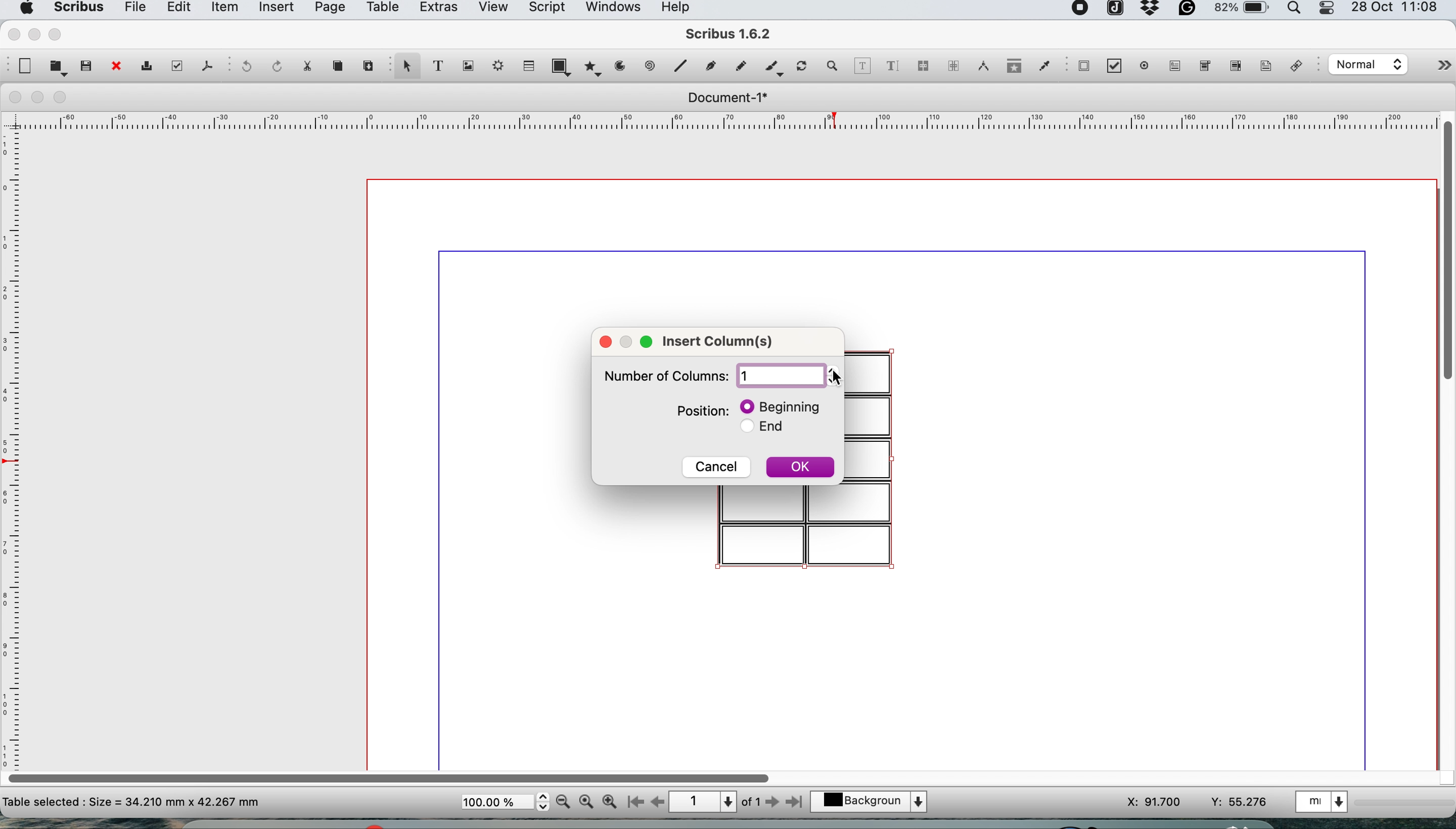 The width and height of the screenshot is (1456, 829). Describe the element at coordinates (1297, 11) in the screenshot. I see `spotlight search` at that location.